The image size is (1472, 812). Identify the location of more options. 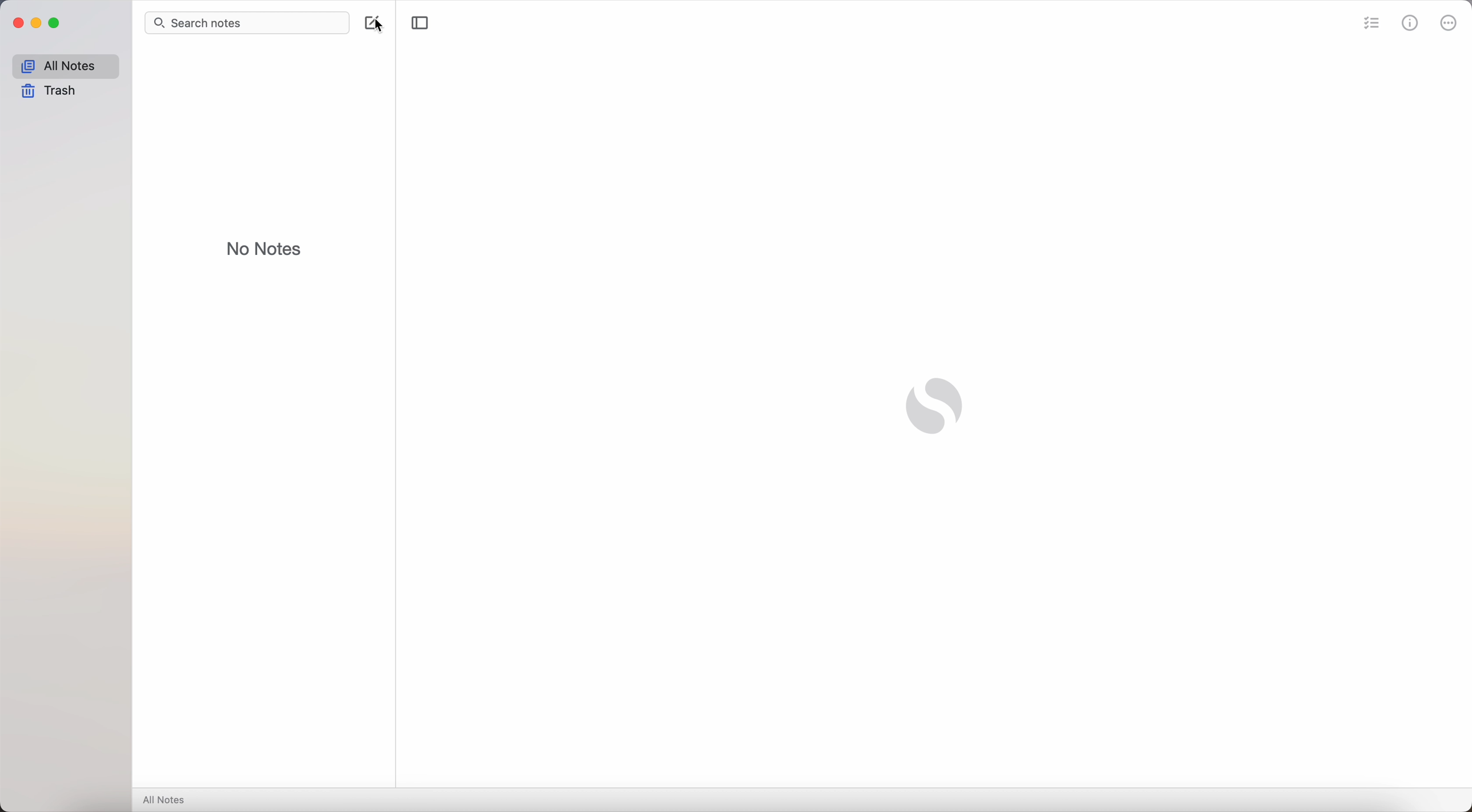
(1448, 22).